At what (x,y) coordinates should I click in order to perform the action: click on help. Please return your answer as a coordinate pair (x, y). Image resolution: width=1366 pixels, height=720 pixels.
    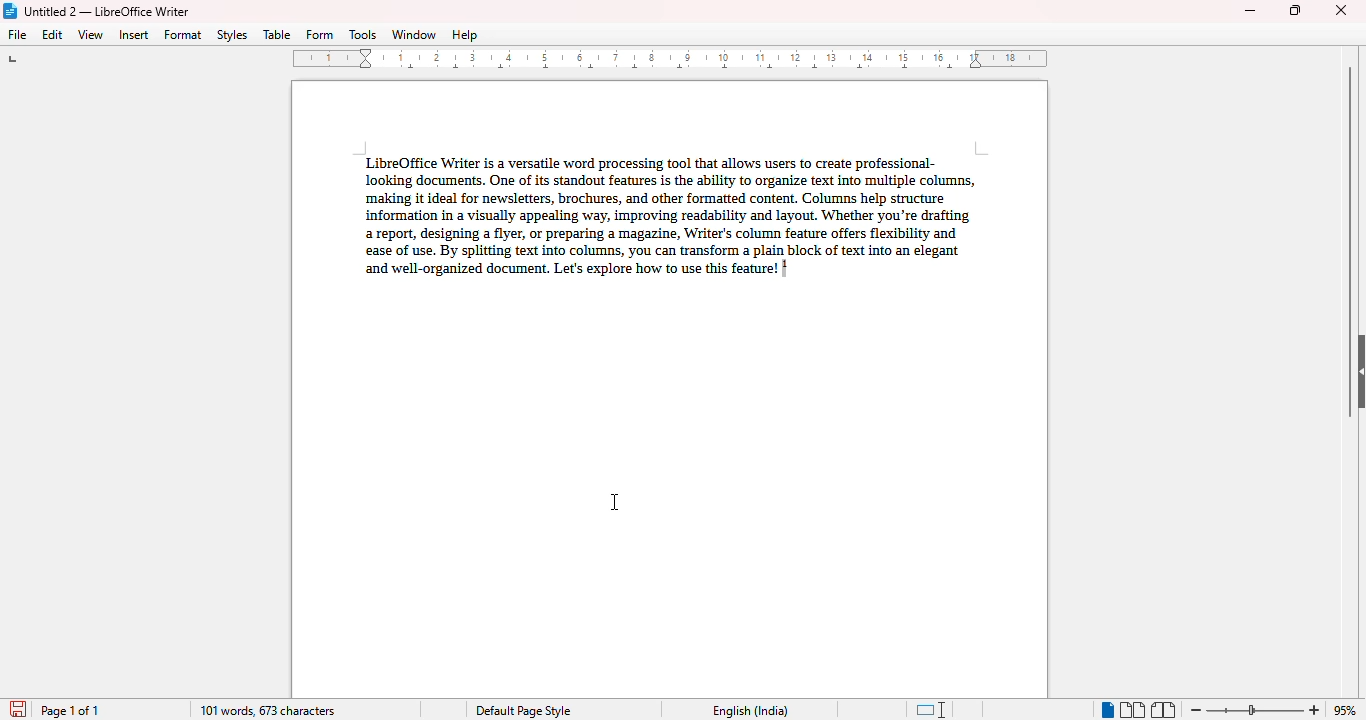
    Looking at the image, I should click on (464, 35).